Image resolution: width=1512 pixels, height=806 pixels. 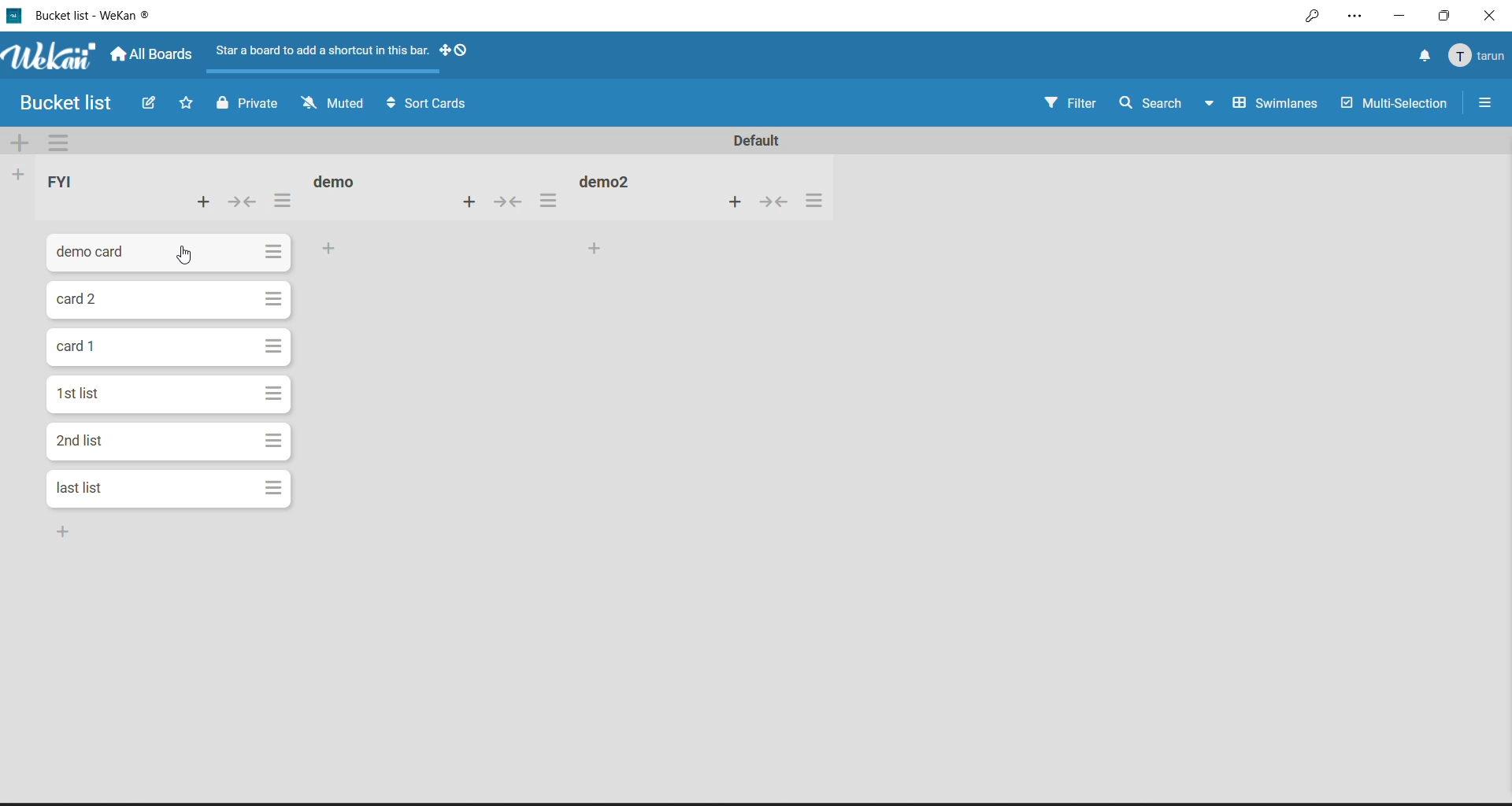 What do you see at coordinates (1477, 56) in the screenshot?
I see `member menu popup title` at bounding box center [1477, 56].